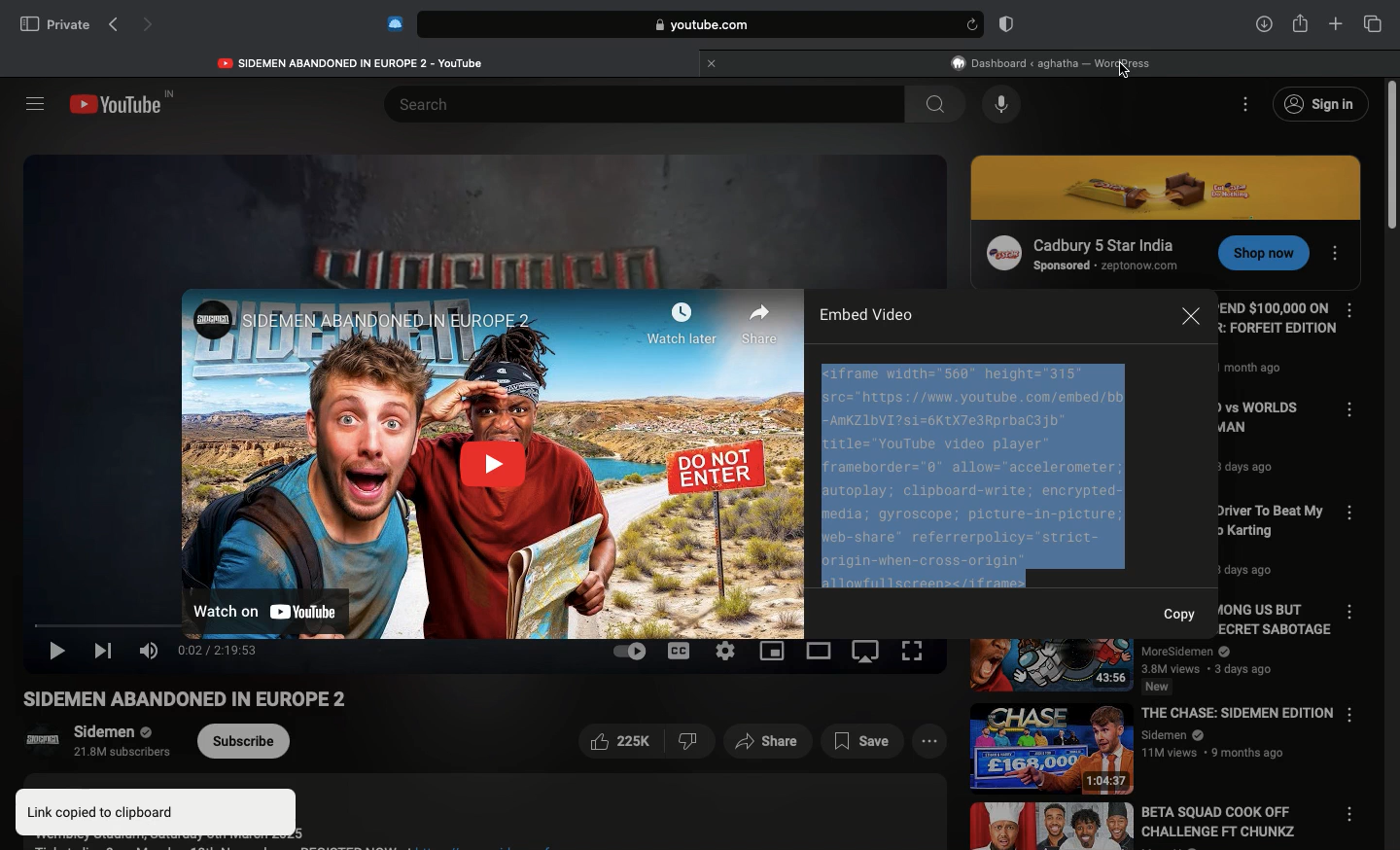 The width and height of the screenshot is (1400, 850). Describe the element at coordinates (681, 651) in the screenshot. I see `Subtitles` at that location.